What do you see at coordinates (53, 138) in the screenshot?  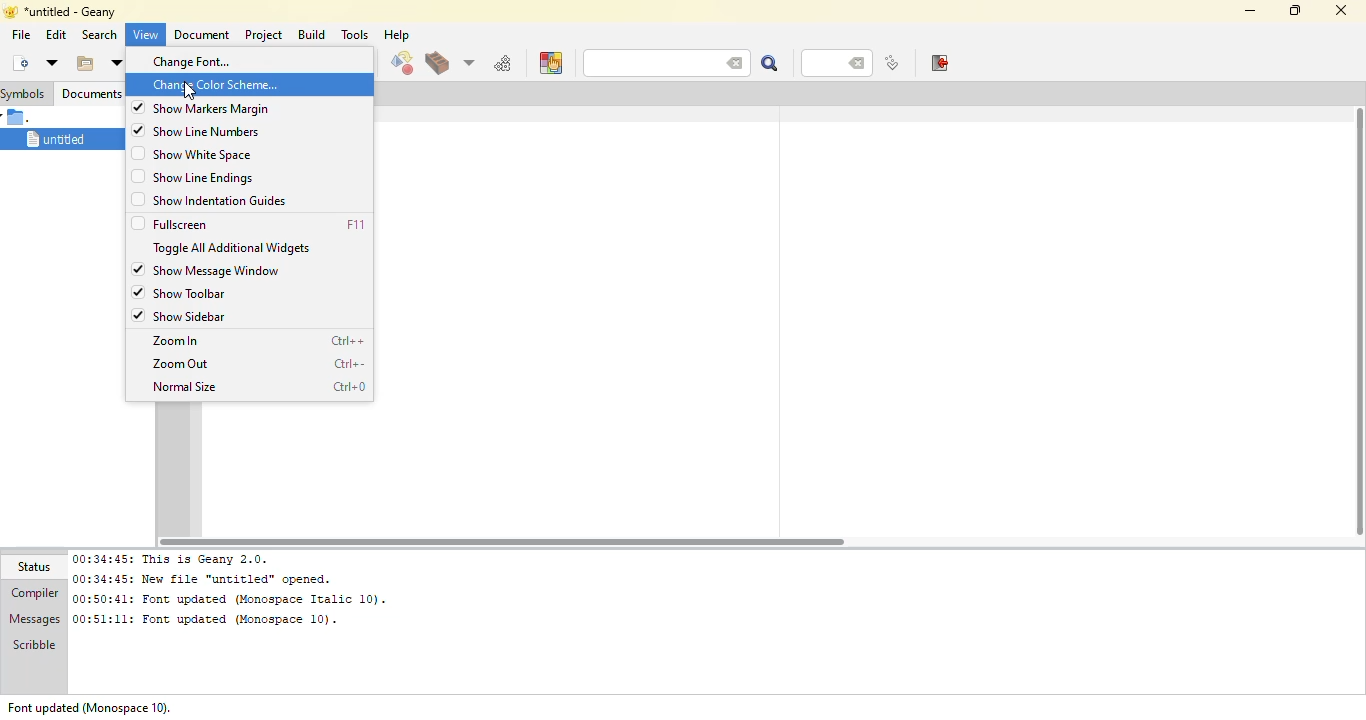 I see `untitled` at bounding box center [53, 138].